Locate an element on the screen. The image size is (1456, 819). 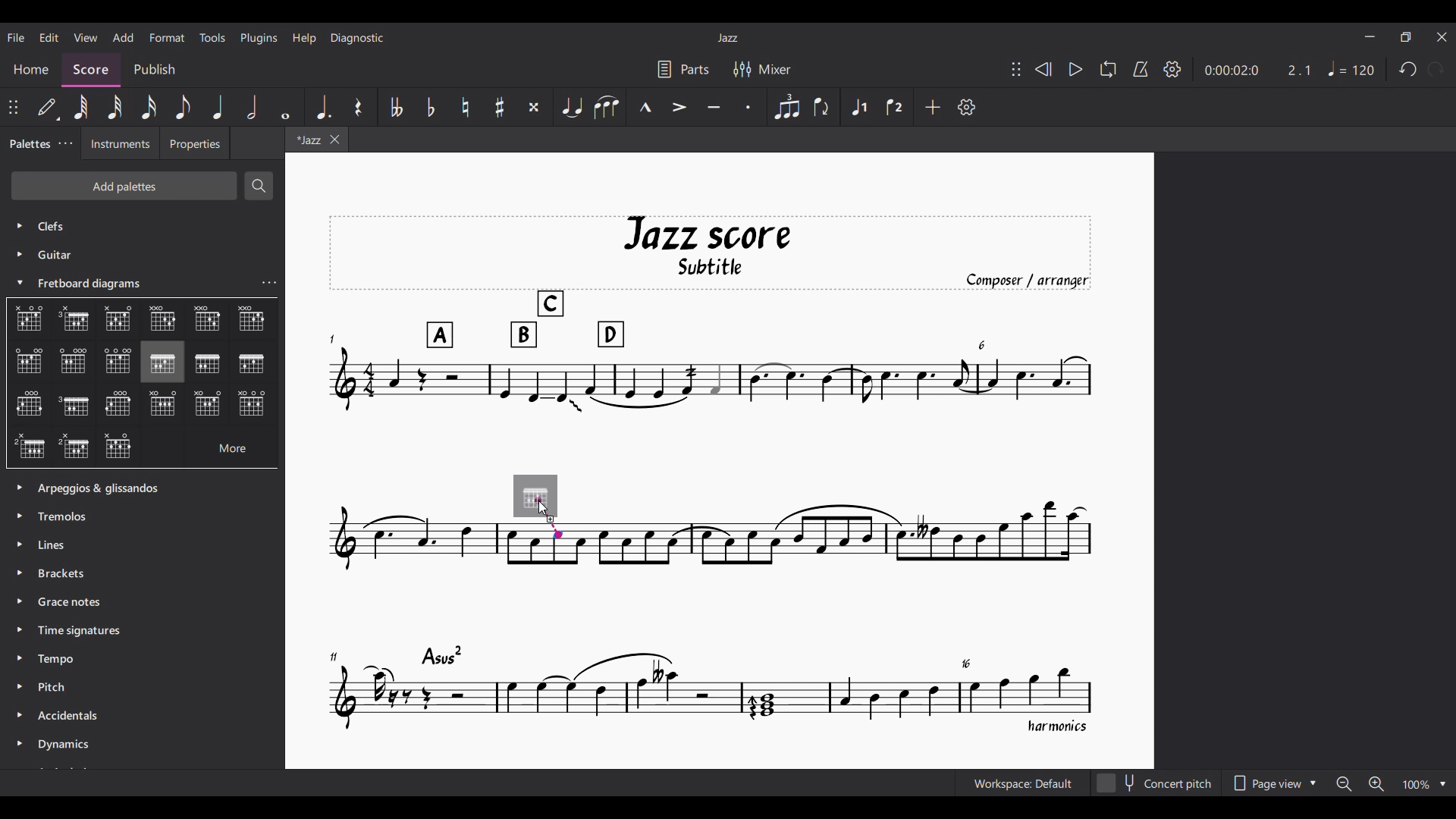
Page view options is located at coordinates (1272, 783).